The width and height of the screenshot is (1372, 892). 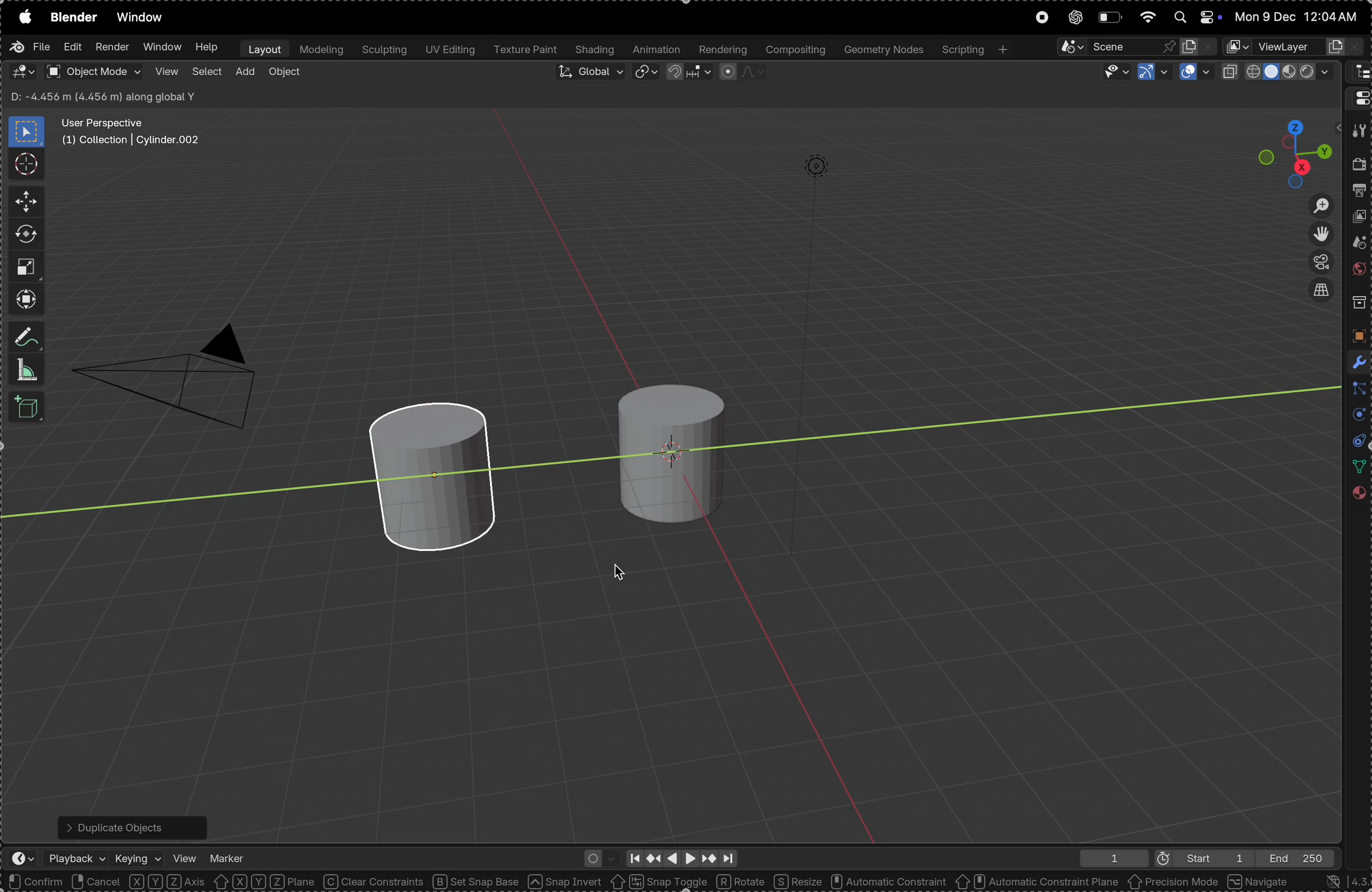 I want to click on render, so click(x=112, y=47).